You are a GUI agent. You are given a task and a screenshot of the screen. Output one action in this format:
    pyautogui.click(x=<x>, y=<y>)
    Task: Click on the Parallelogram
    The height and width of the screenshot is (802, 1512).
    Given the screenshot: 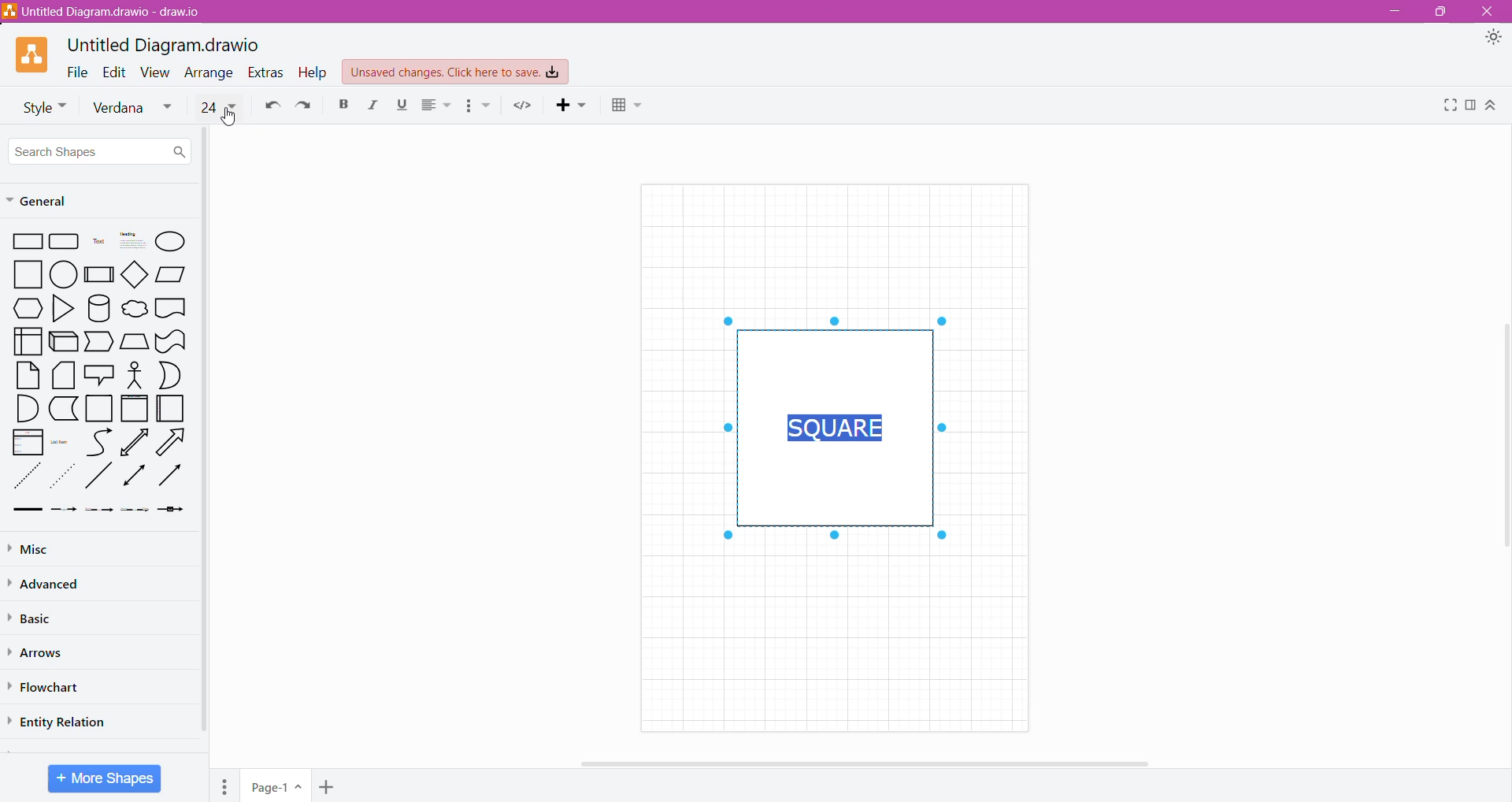 What is the action you would take?
    pyautogui.click(x=172, y=275)
    